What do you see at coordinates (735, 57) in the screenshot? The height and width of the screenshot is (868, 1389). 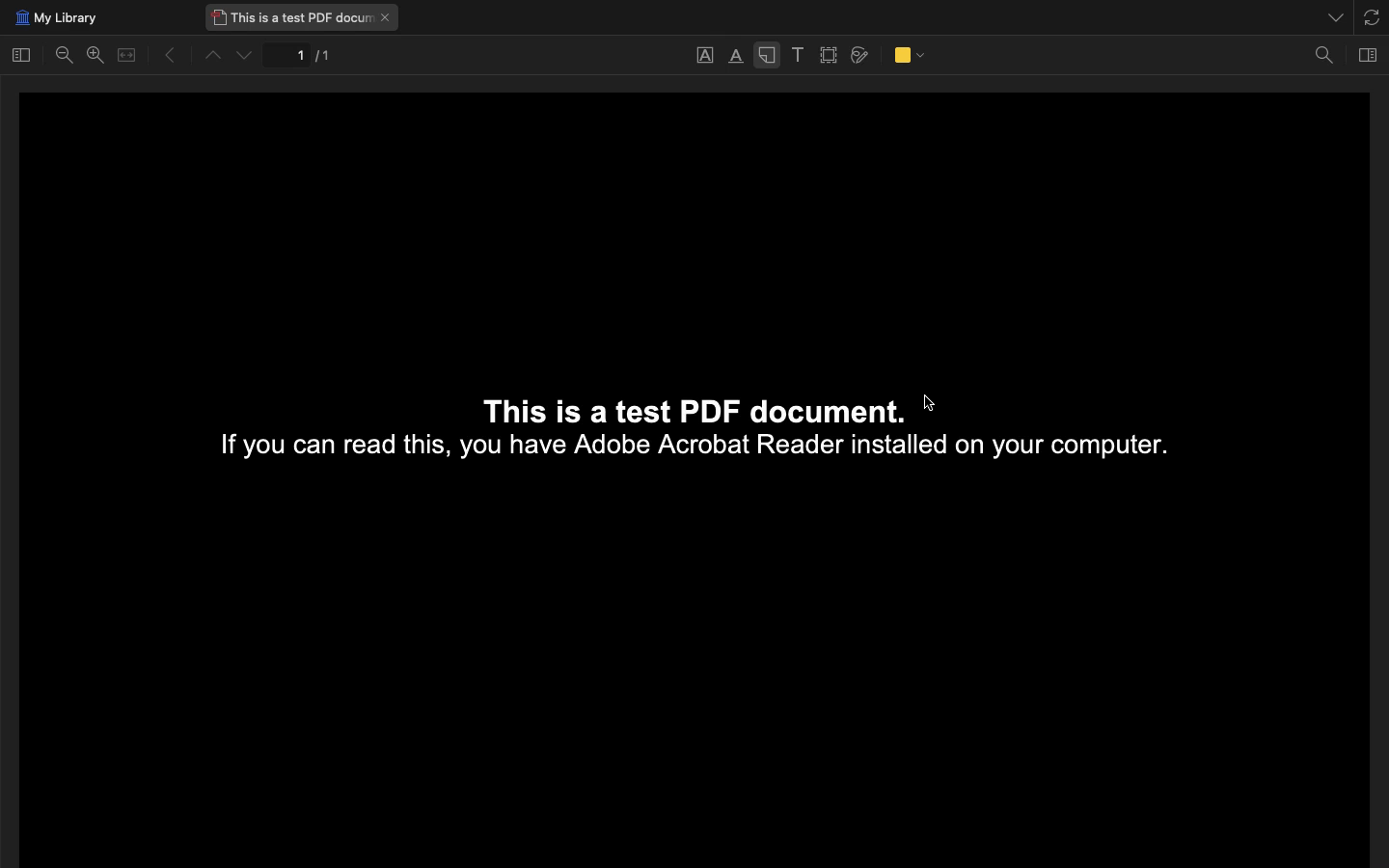 I see `Highlight text` at bounding box center [735, 57].